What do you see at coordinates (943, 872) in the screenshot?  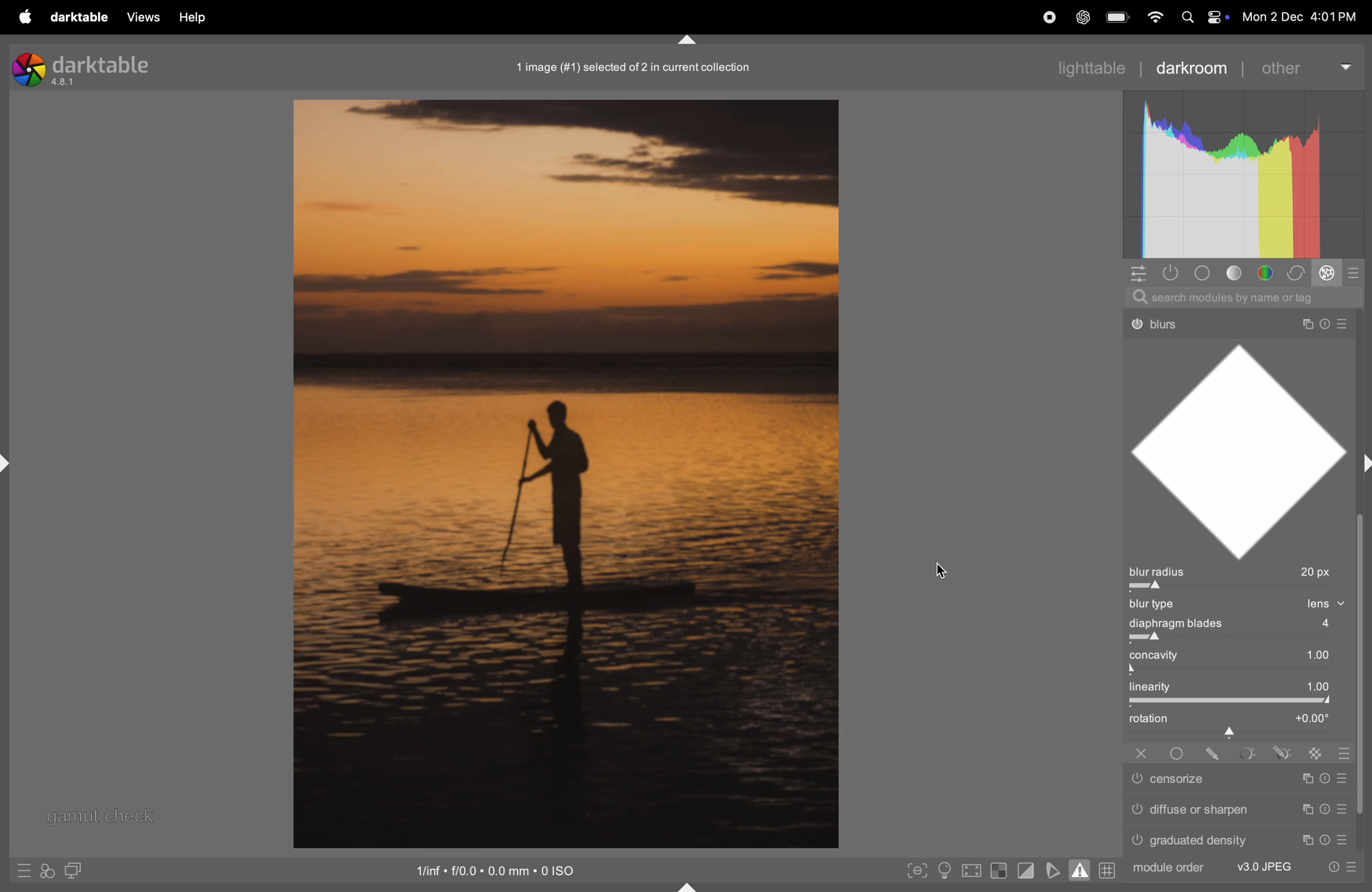 I see `toggle iso` at bounding box center [943, 872].